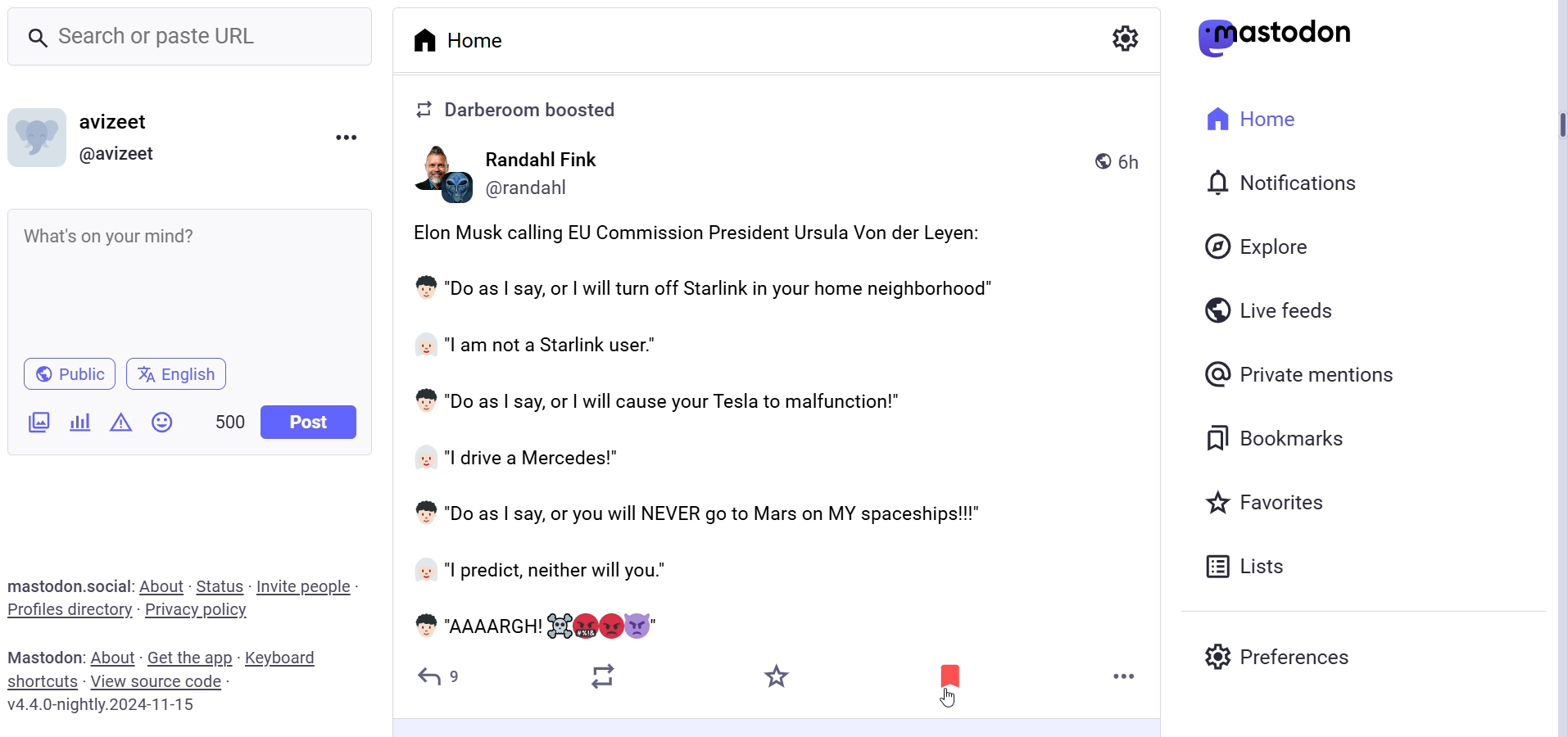 This screenshot has width=1568, height=737. What do you see at coordinates (192, 35) in the screenshot?
I see `Search Bar` at bounding box center [192, 35].